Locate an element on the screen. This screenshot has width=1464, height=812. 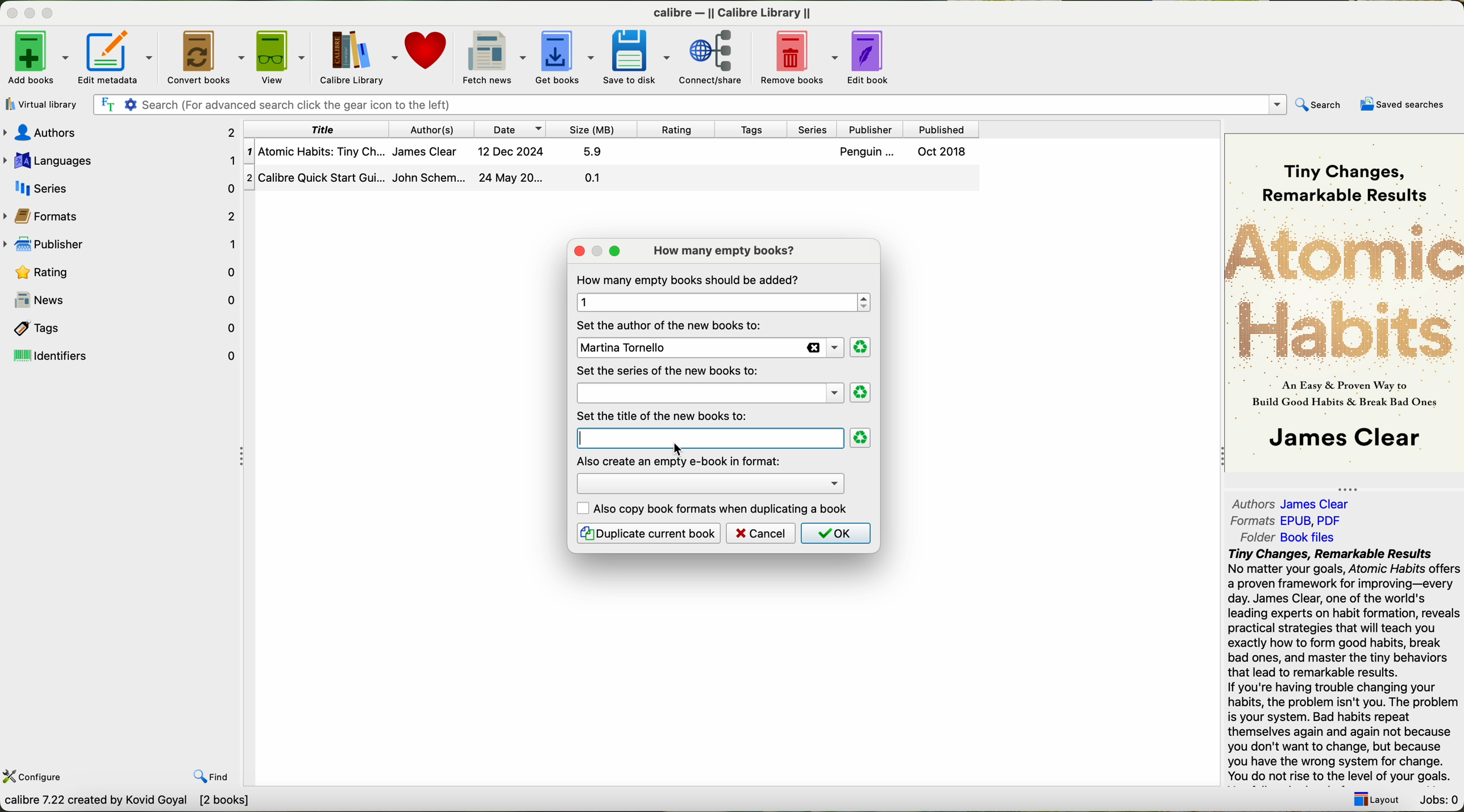
options is located at coordinates (709, 482).